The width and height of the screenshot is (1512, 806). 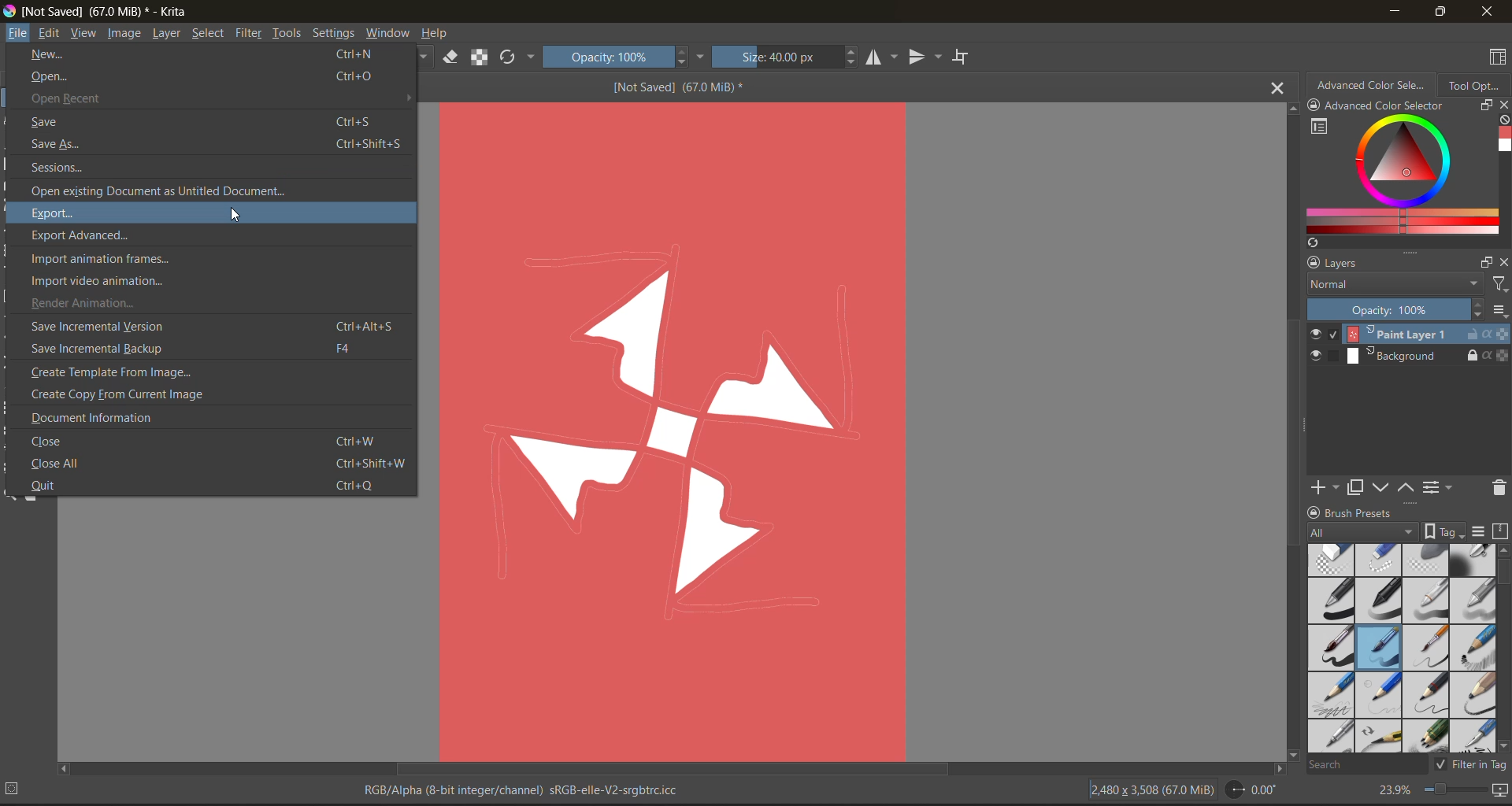 I want to click on close, so click(x=1503, y=264).